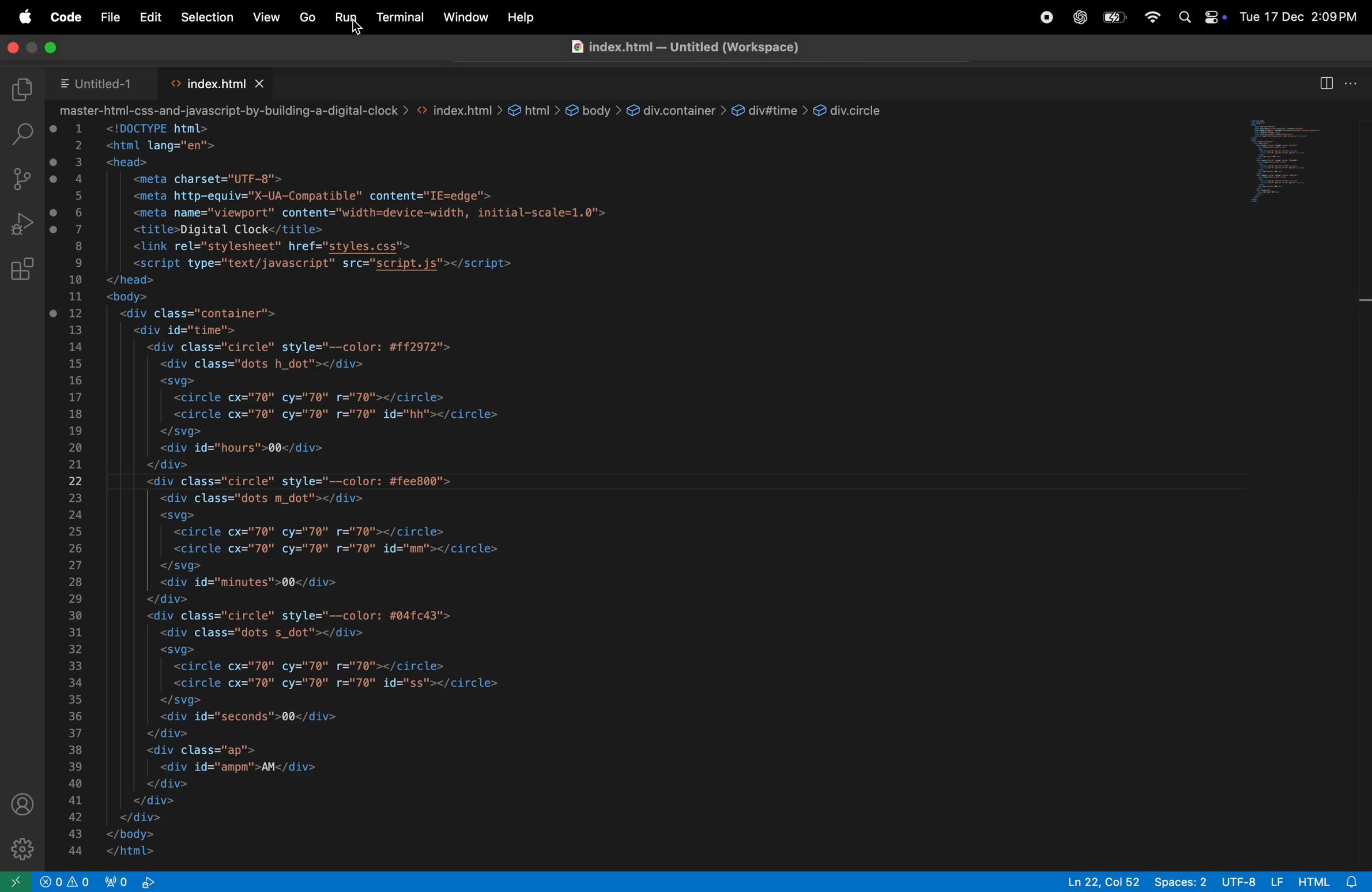  I want to click on Tue 17 Dec 2:09PM, so click(1297, 18).